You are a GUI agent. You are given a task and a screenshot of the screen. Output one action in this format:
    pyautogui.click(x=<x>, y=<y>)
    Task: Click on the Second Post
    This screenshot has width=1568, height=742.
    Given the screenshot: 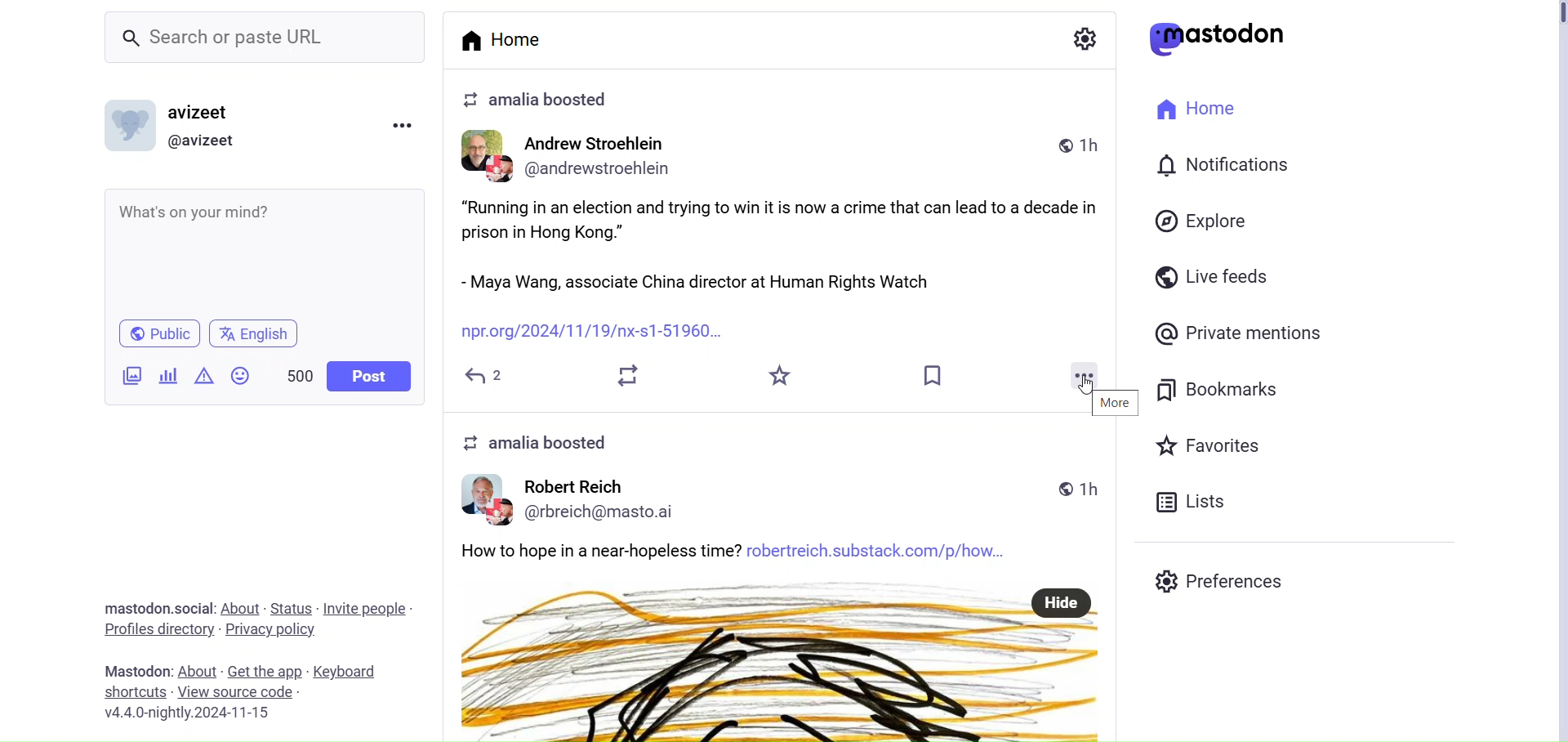 What is the action you would take?
    pyautogui.click(x=784, y=677)
    